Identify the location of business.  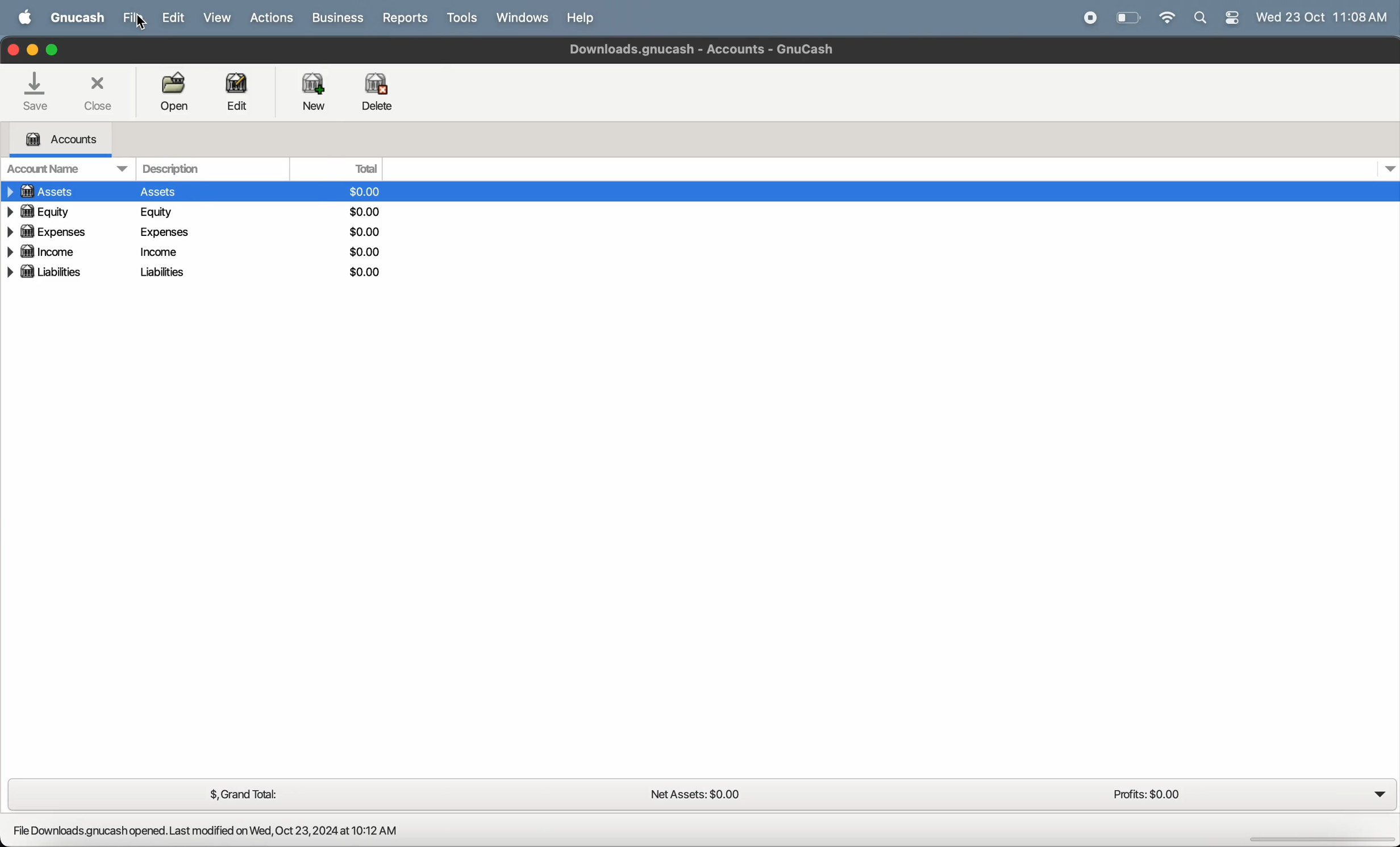
(335, 18).